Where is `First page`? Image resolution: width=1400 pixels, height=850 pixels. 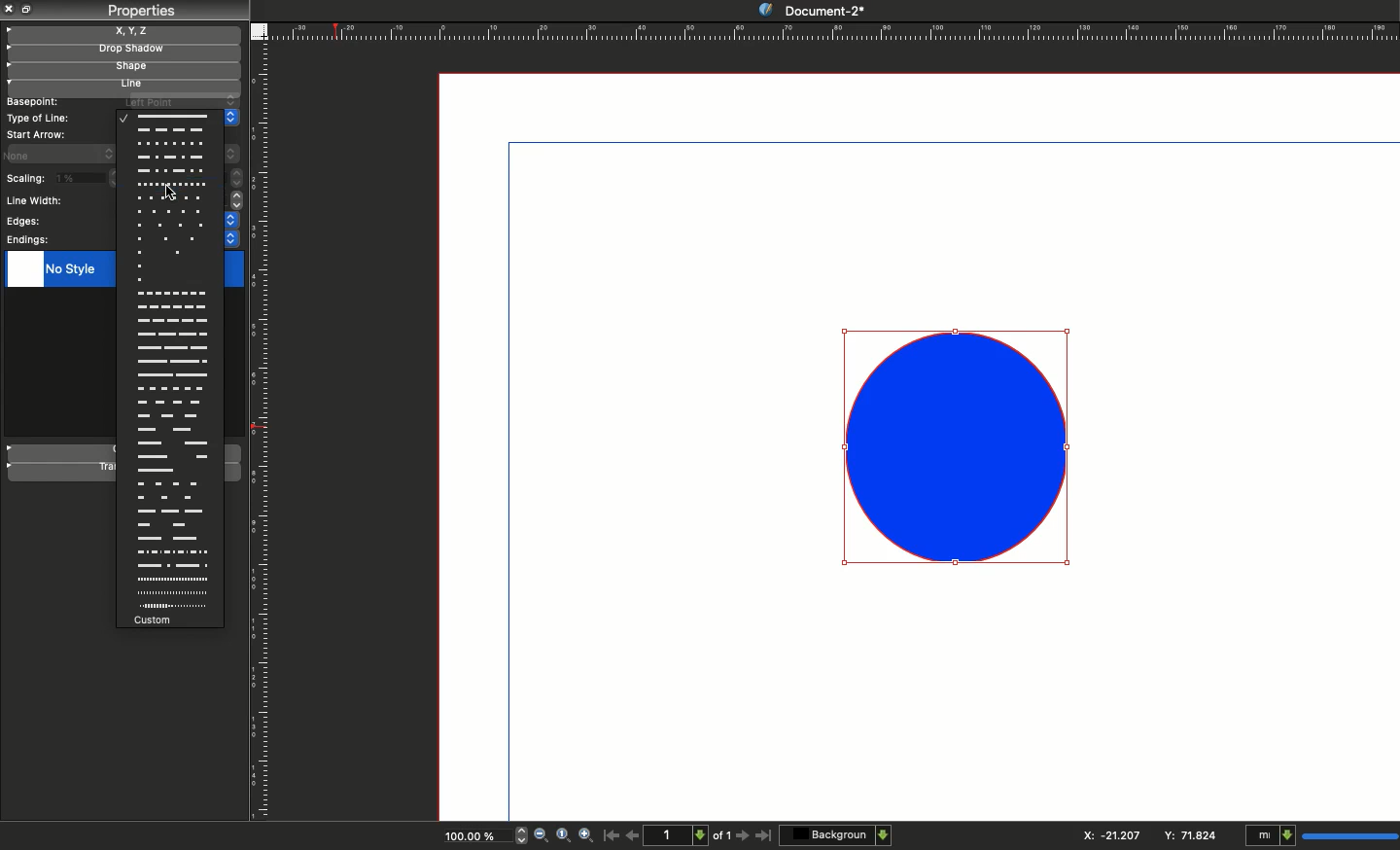
First page is located at coordinates (612, 834).